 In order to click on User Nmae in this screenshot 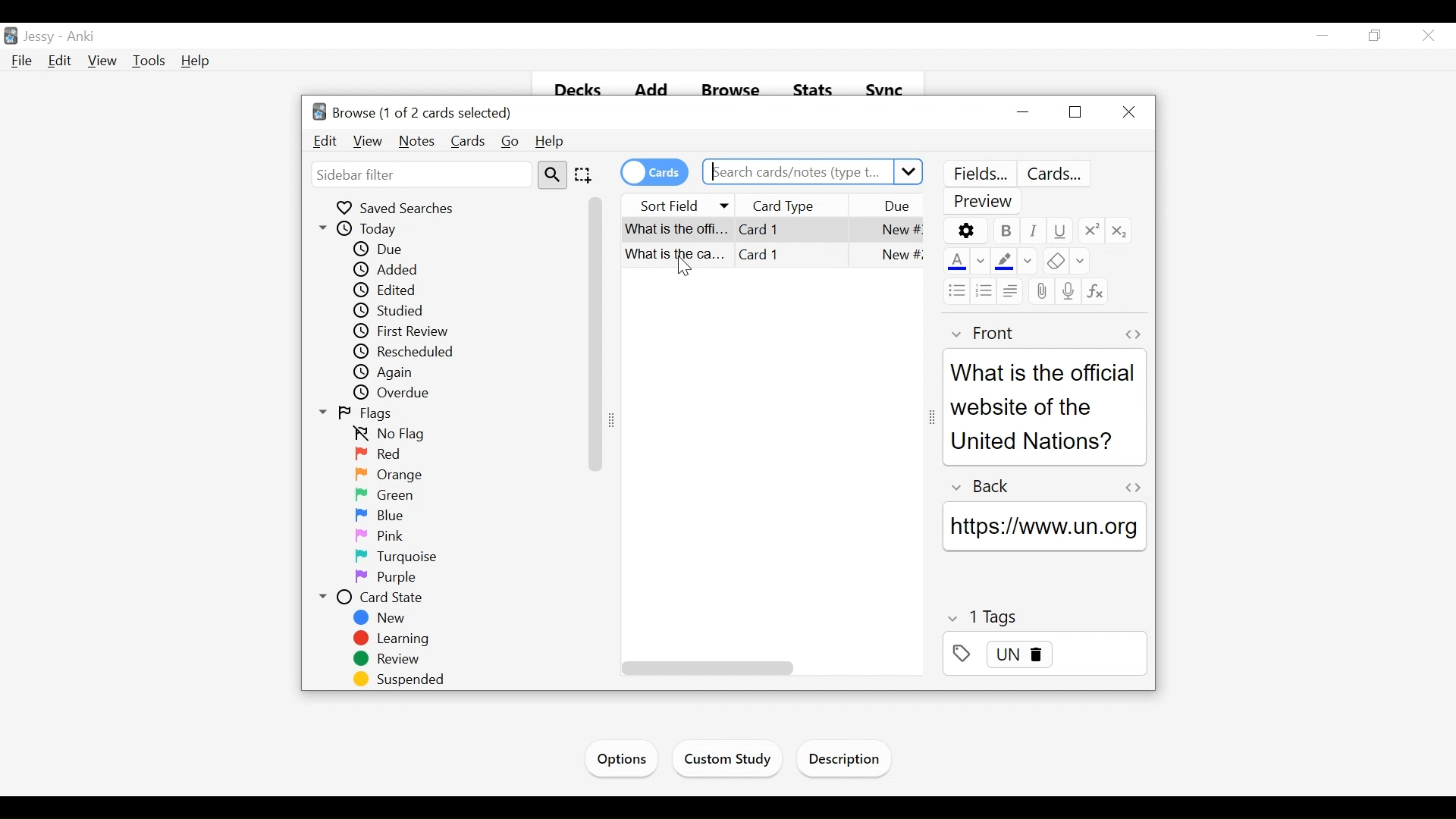, I will do `click(42, 38)`.